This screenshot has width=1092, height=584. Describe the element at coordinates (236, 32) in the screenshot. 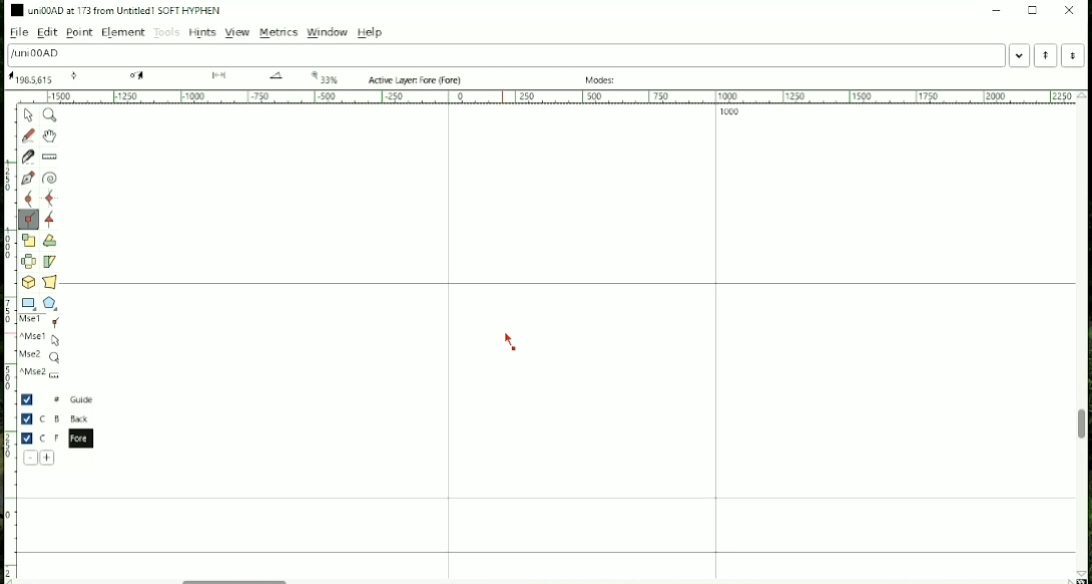

I see `View` at that location.